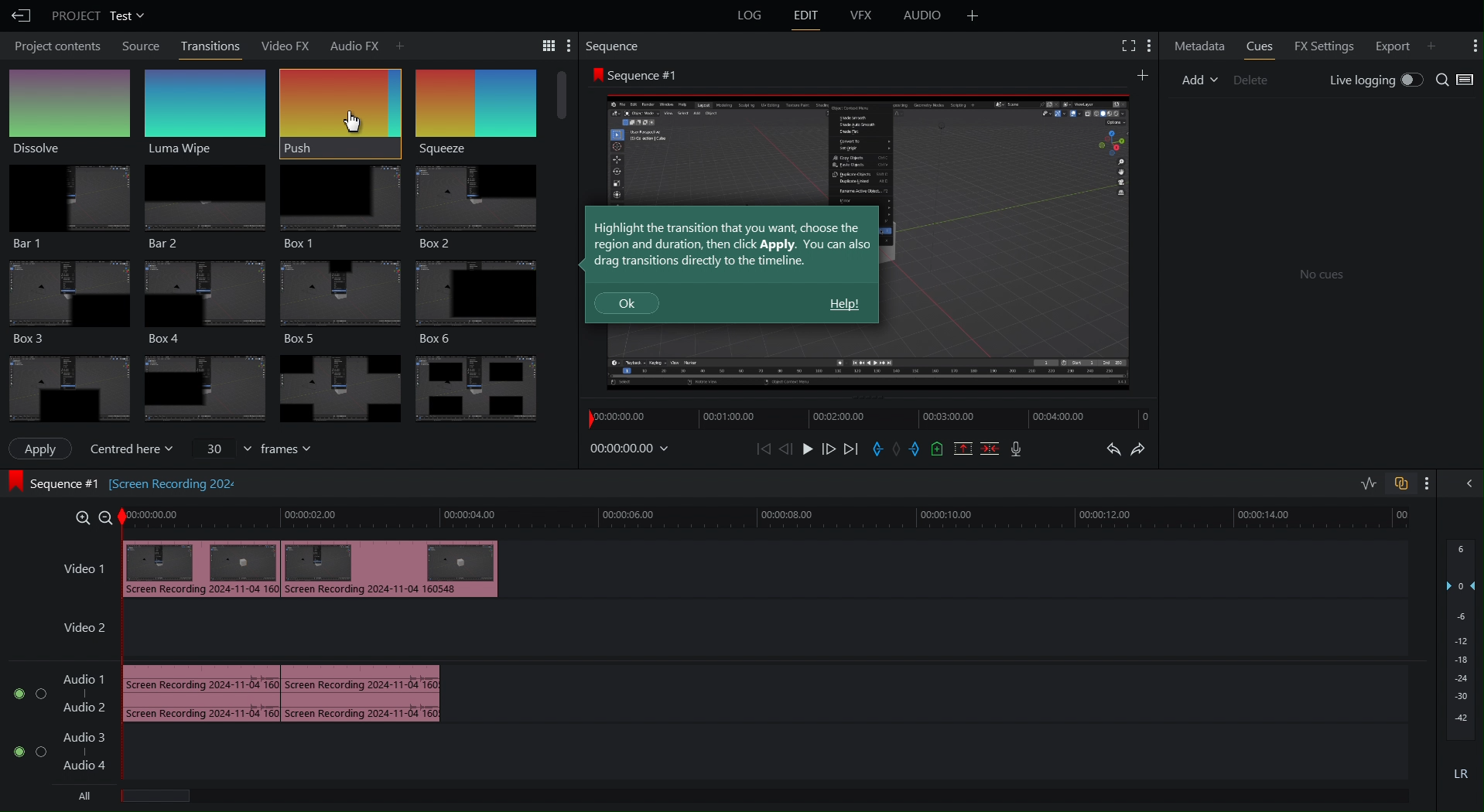 This screenshot has width=1484, height=812. Describe the element at coordinates (733, 244) in the screenshot. I see `Highlight the transition that you want, choose the
region and duration, then click Apply. You can also
drag transitions directly to the timeline.` at that location.